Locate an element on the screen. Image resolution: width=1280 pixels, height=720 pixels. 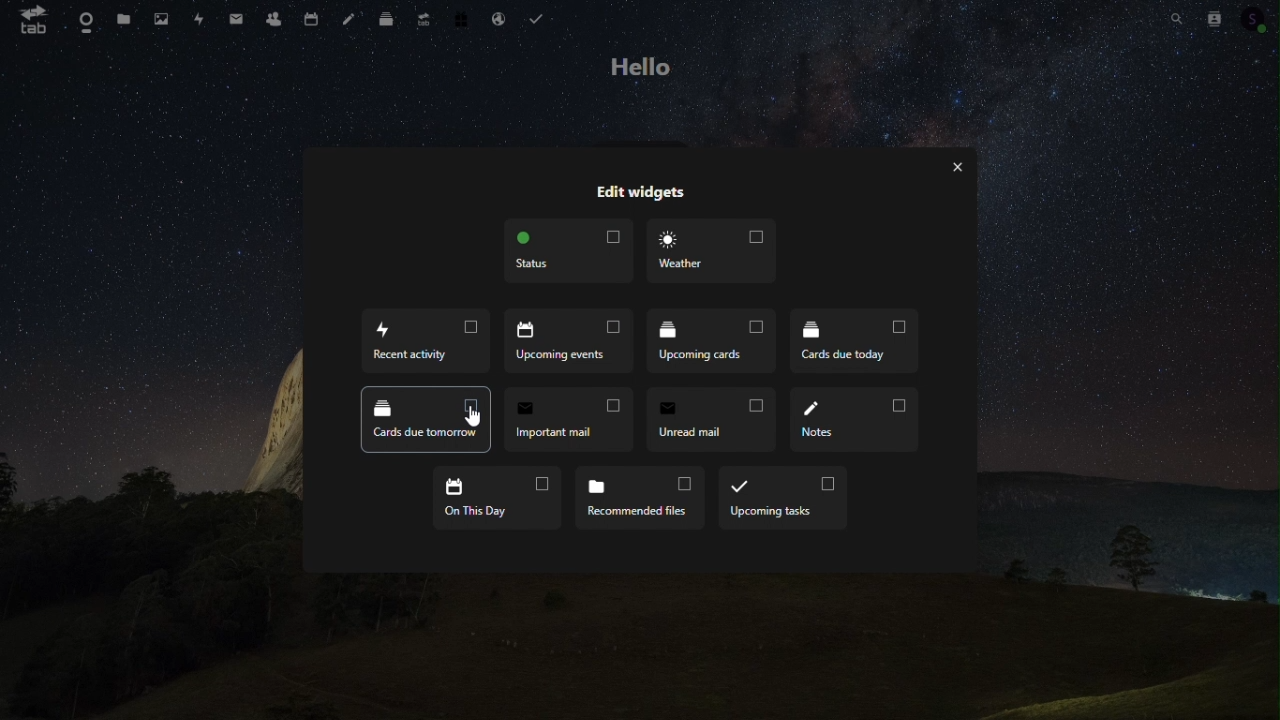
Recommended files is located at coordinates (639, 500).